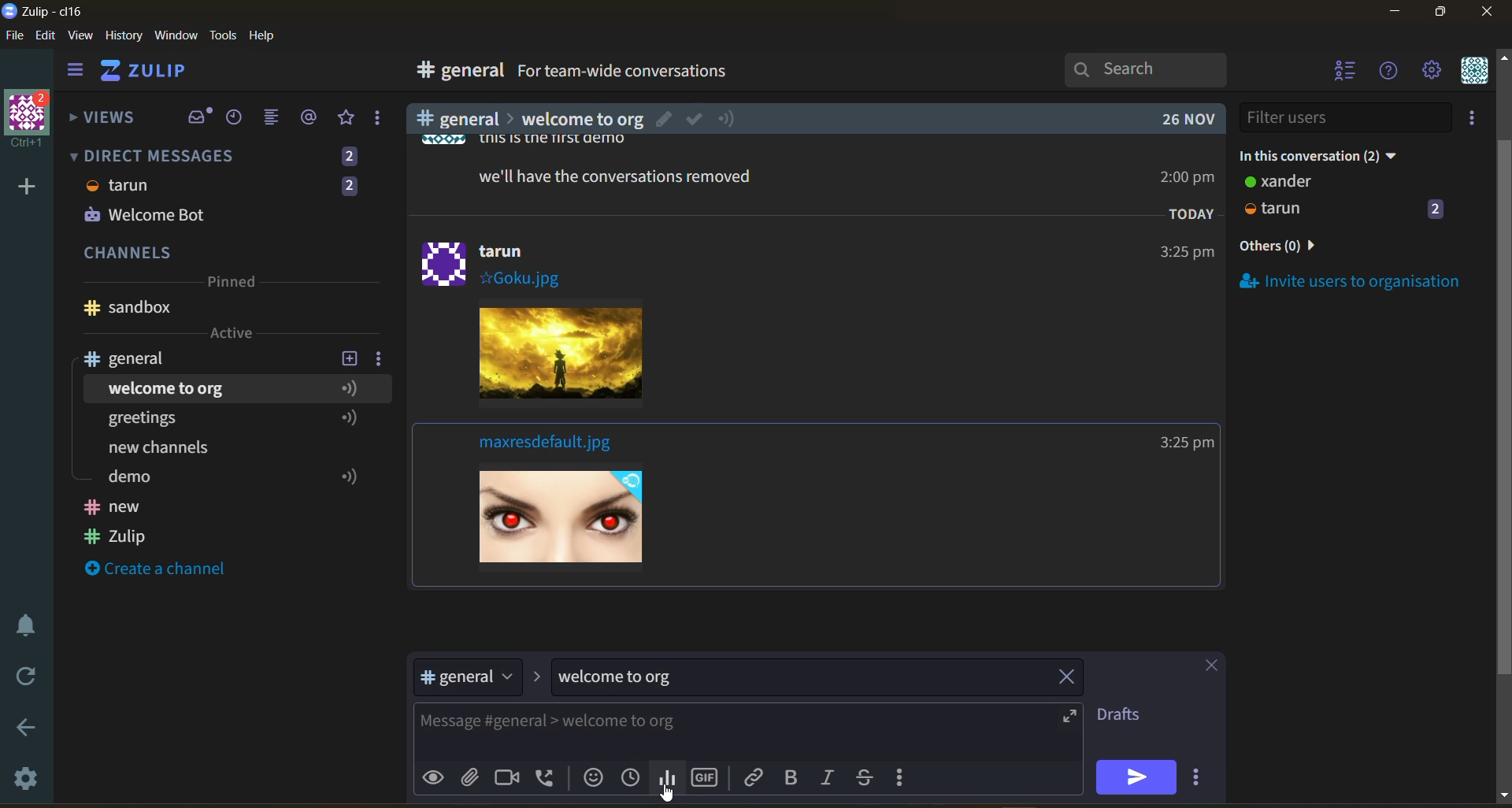  What do you see at coordinates (226, 34) in the screenshot?
I see `tools` at bounding box center [226, 34].